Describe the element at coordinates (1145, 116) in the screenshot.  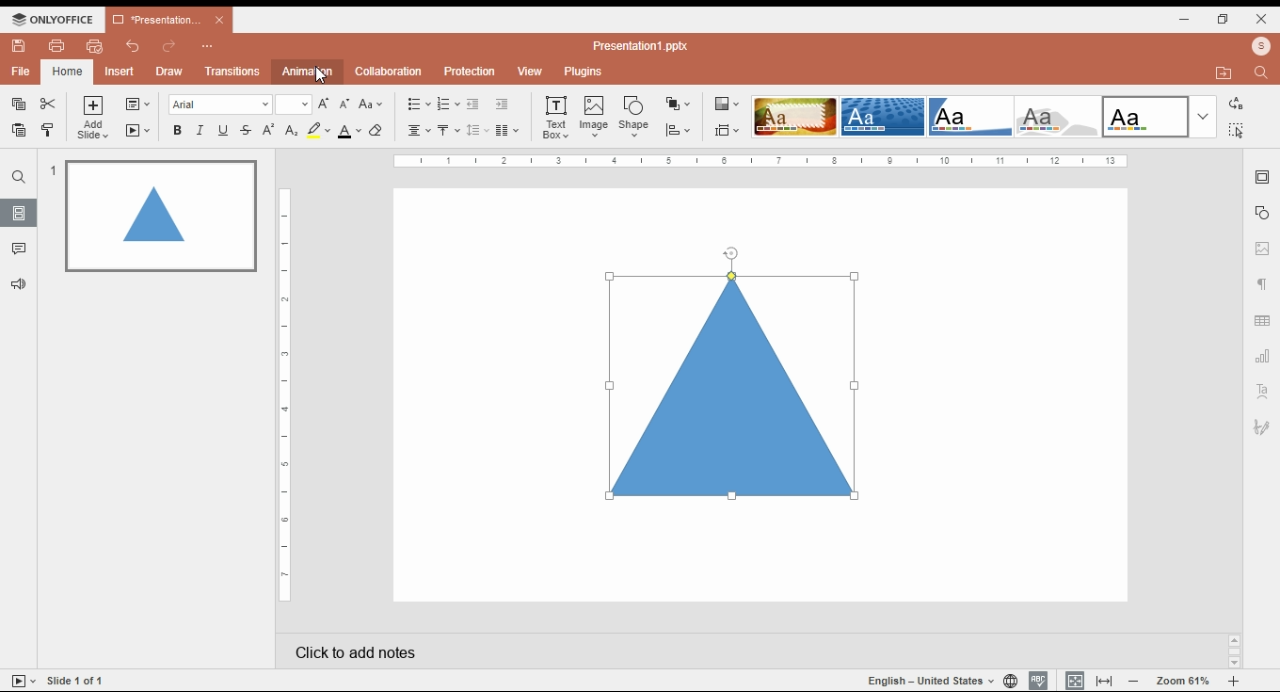
I see `color theme 5` at that location.